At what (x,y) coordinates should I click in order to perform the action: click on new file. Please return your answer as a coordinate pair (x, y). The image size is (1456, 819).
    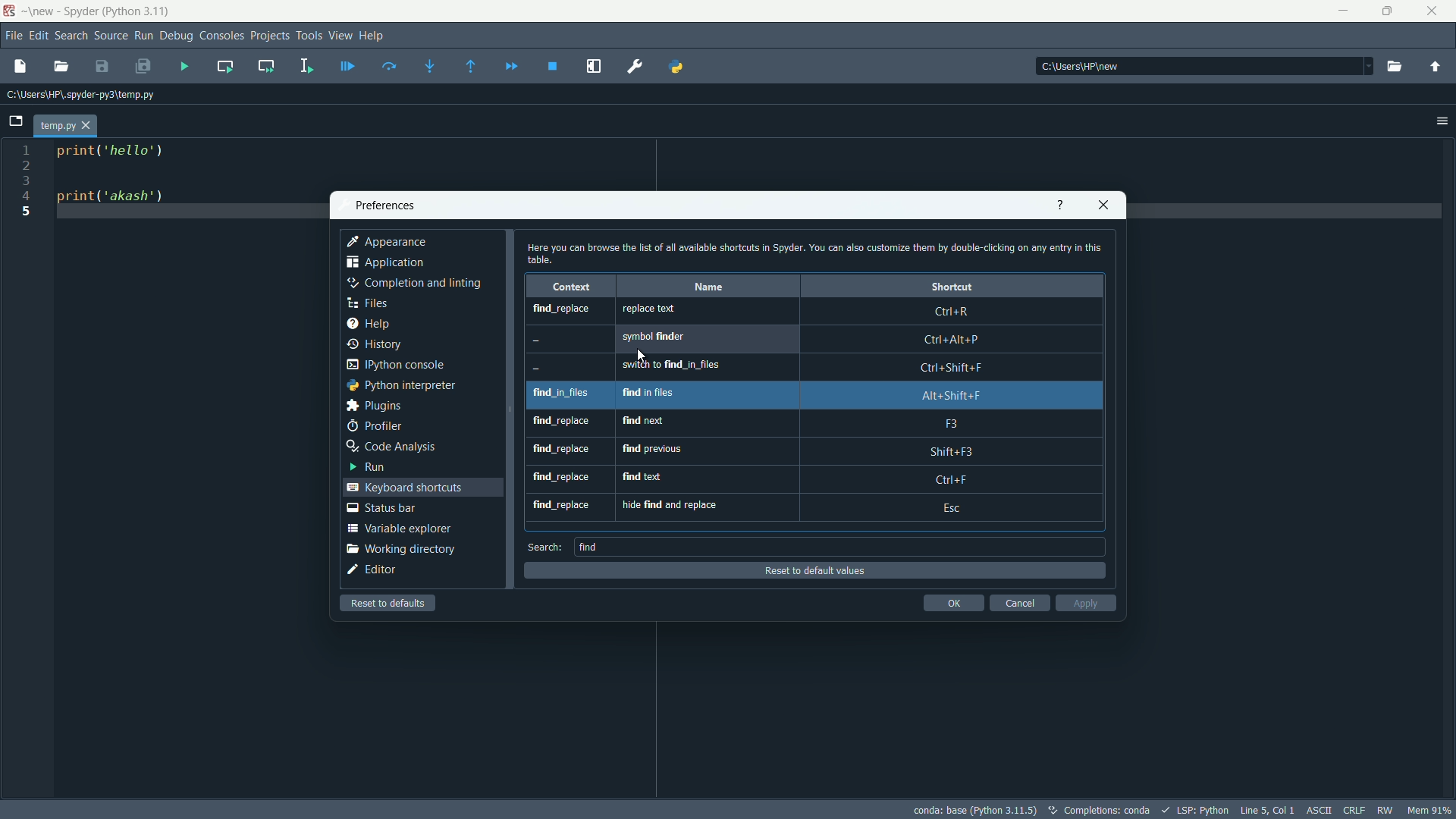
    Looking at the image, I should click on (21, 68).